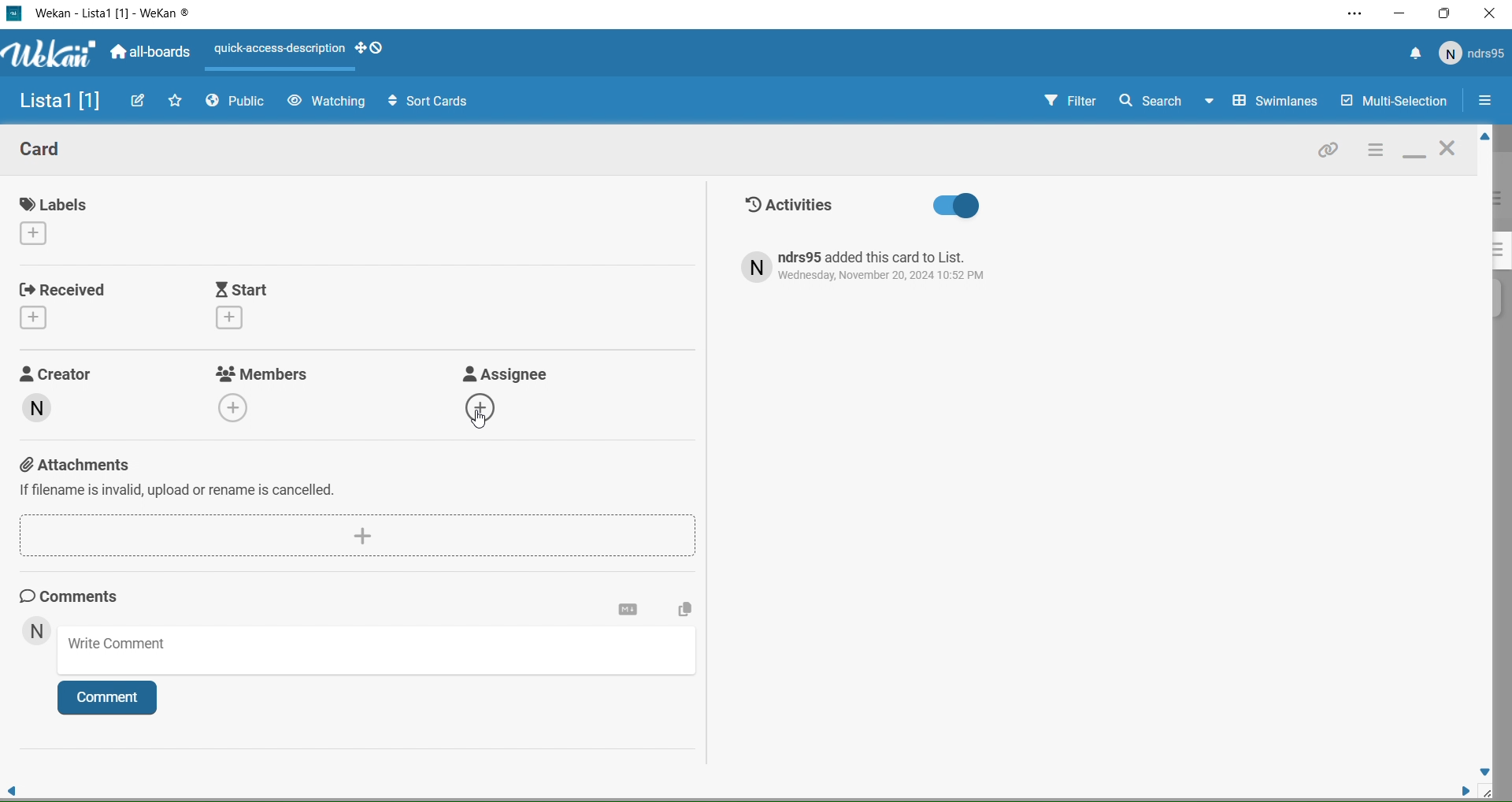 Image resolution: width=1512 pixels, height=802 pixels. What do you see at coordinates (1329, 153) in the screenshot?
I see `attached` at bounding box center [1329, 153].